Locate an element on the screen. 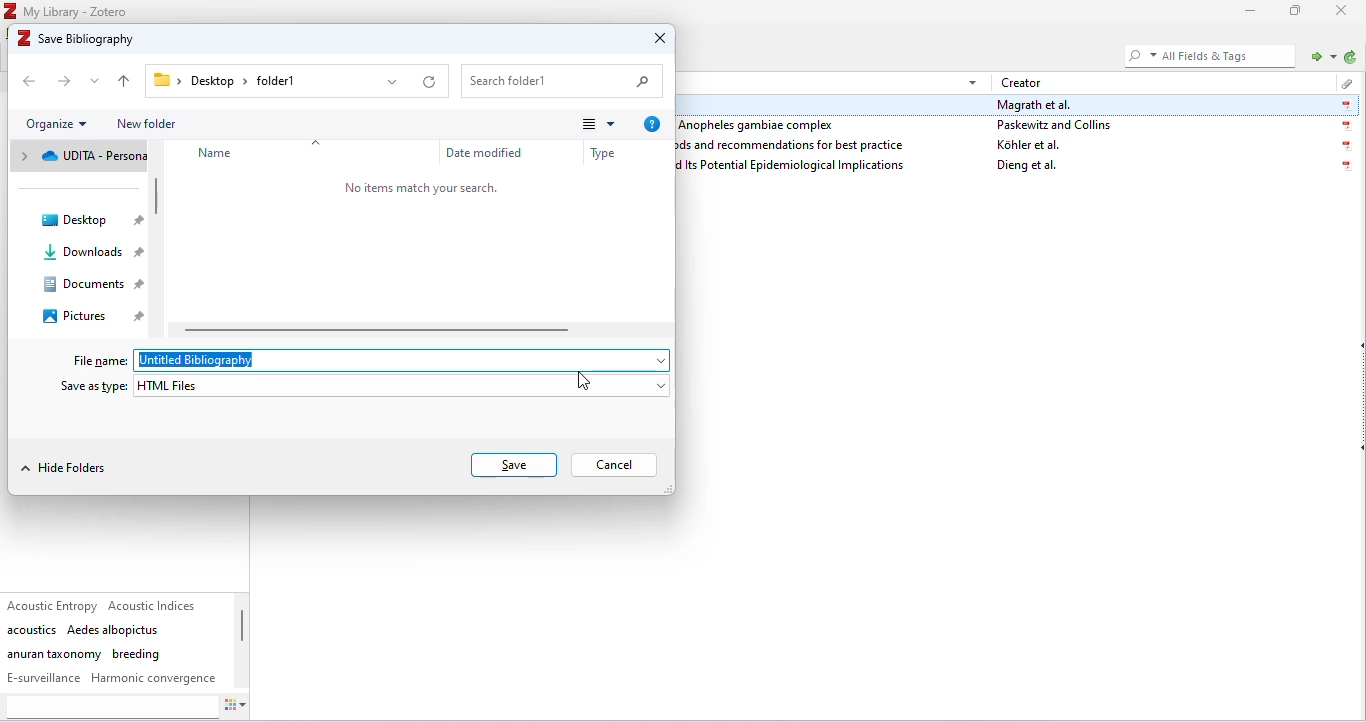 This screenshot has height=722, width=1366. drop down is located at coordinates (657, 359).